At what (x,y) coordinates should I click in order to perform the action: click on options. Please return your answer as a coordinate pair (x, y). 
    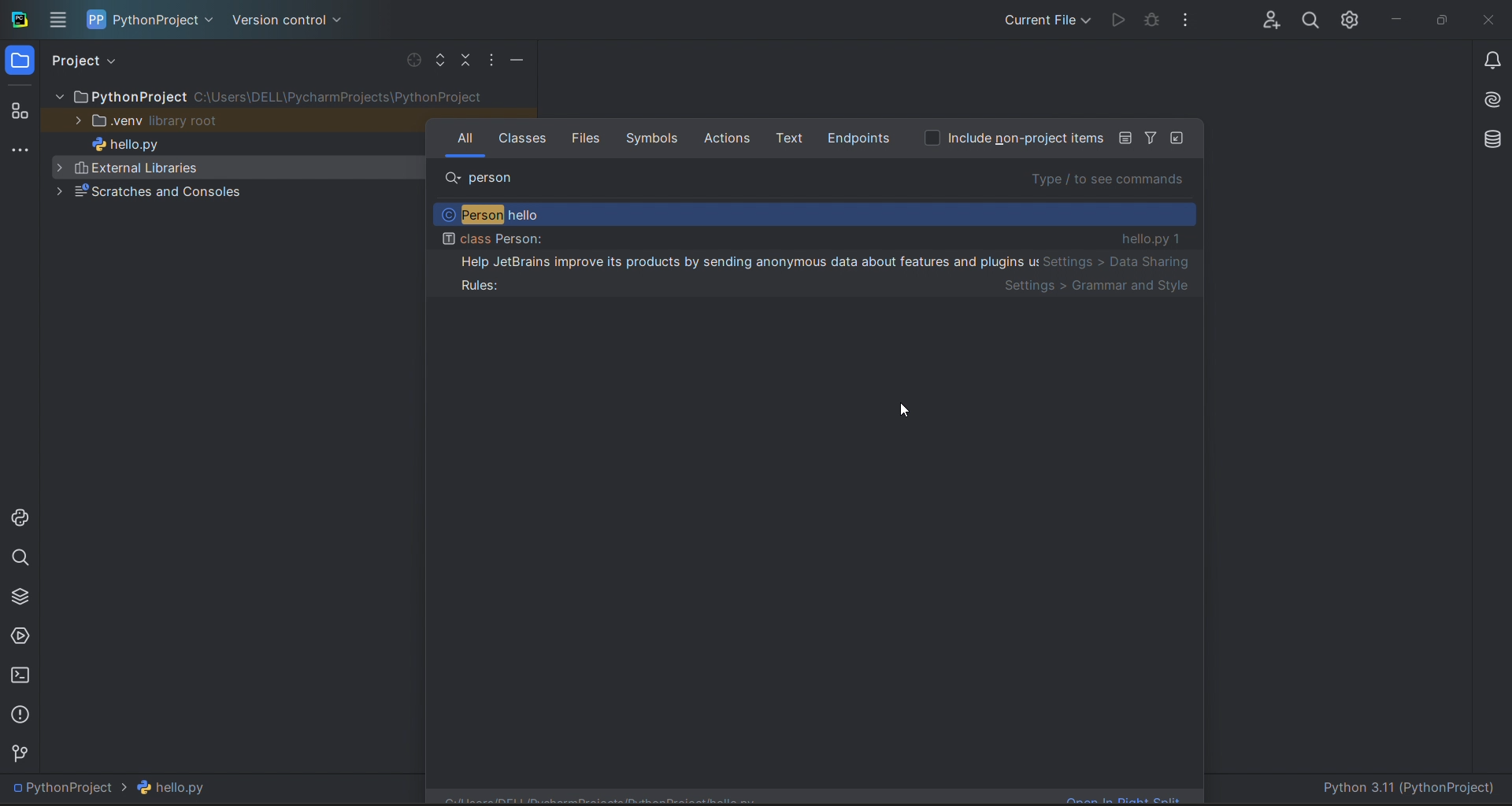
    Looking at the image, I should click on (1186, 19).